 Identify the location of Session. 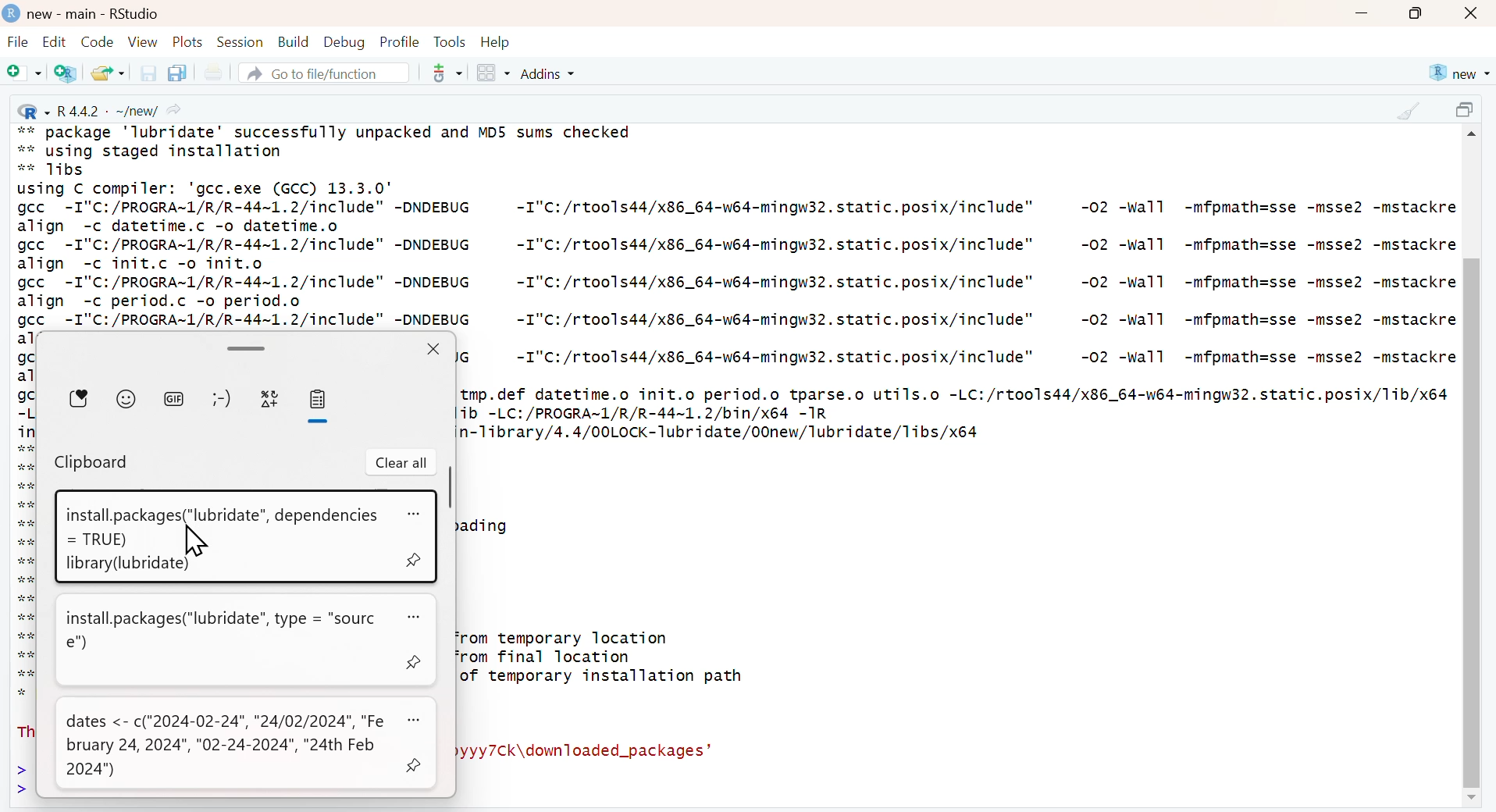
(240, 41).